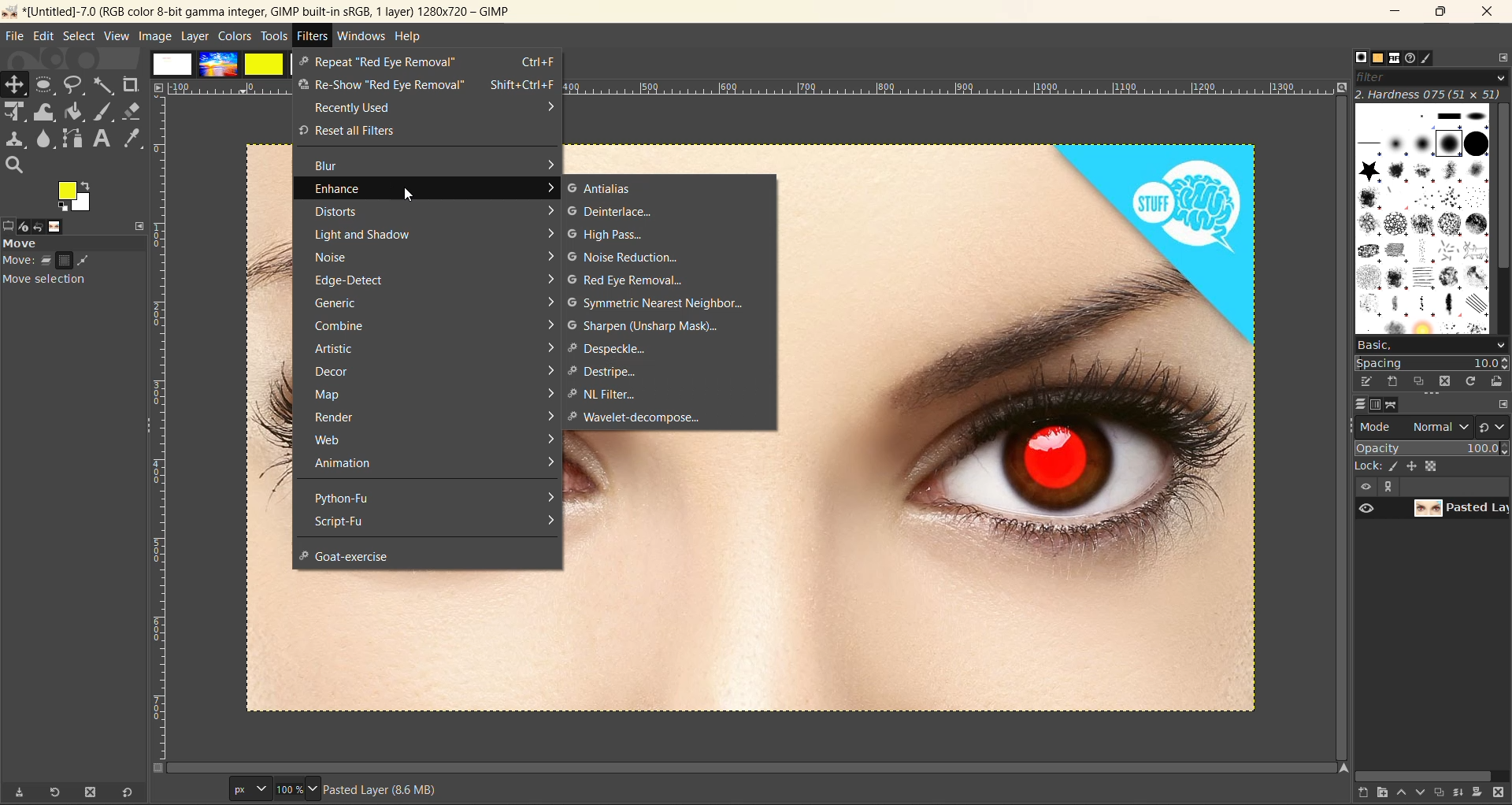 Image resolution: width=1512 pixels, height=805 pixels. What do you see at coordinates (361, 36) in the screenshot?
I see `windows` at bounding box center [361, 36].